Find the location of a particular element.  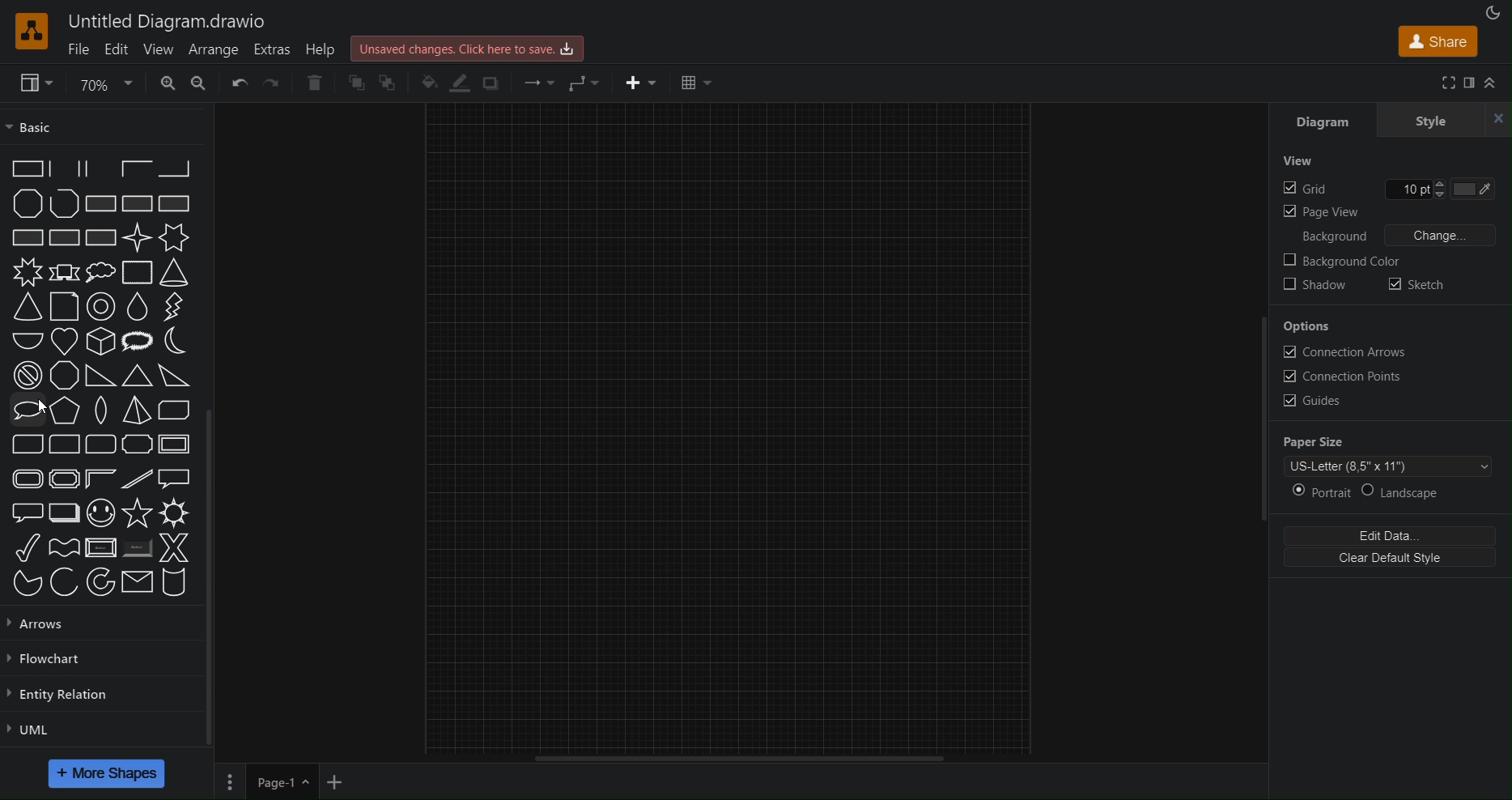

Frame is located at coordinates (175, 445).